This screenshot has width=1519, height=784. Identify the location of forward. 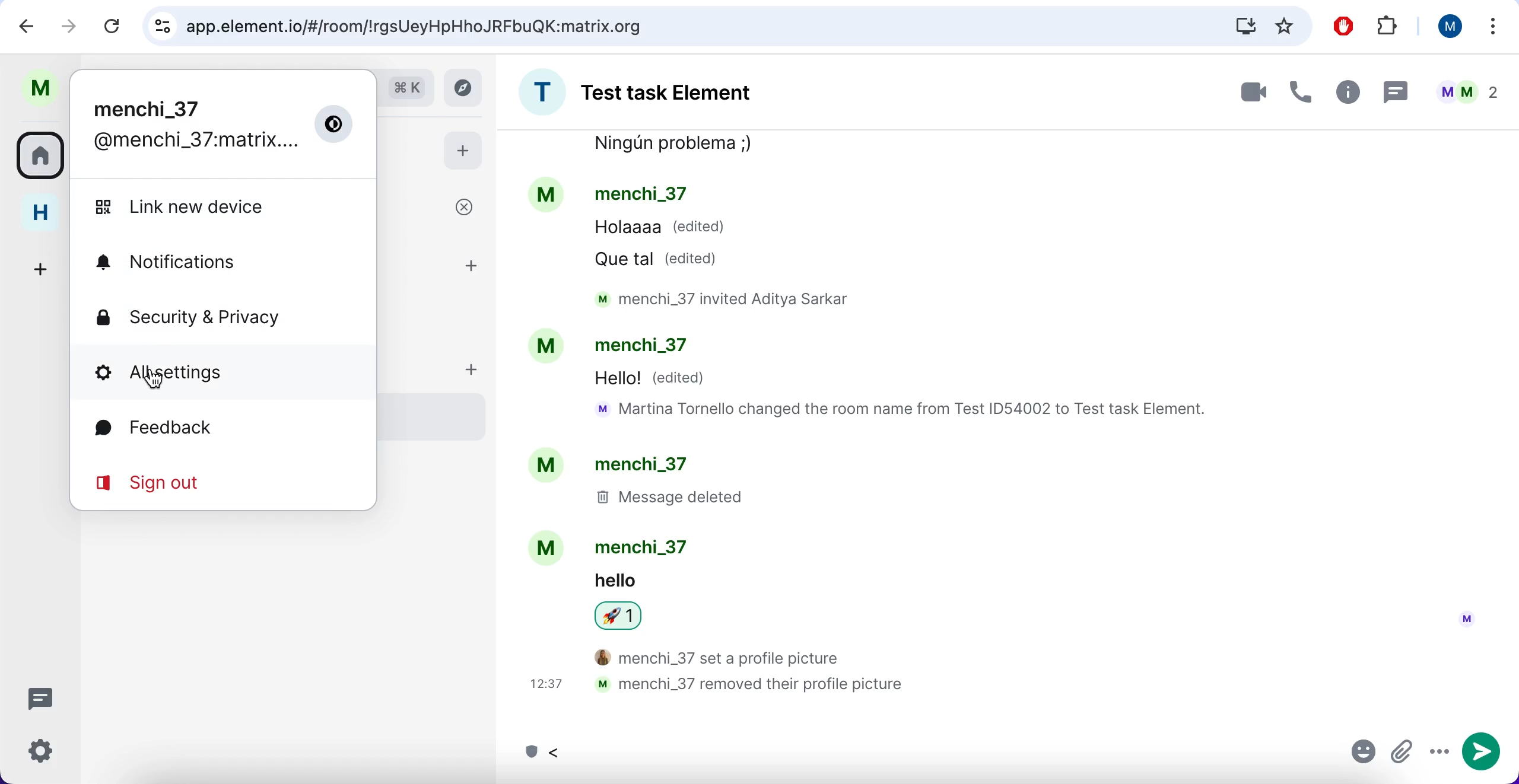
(68, 28).